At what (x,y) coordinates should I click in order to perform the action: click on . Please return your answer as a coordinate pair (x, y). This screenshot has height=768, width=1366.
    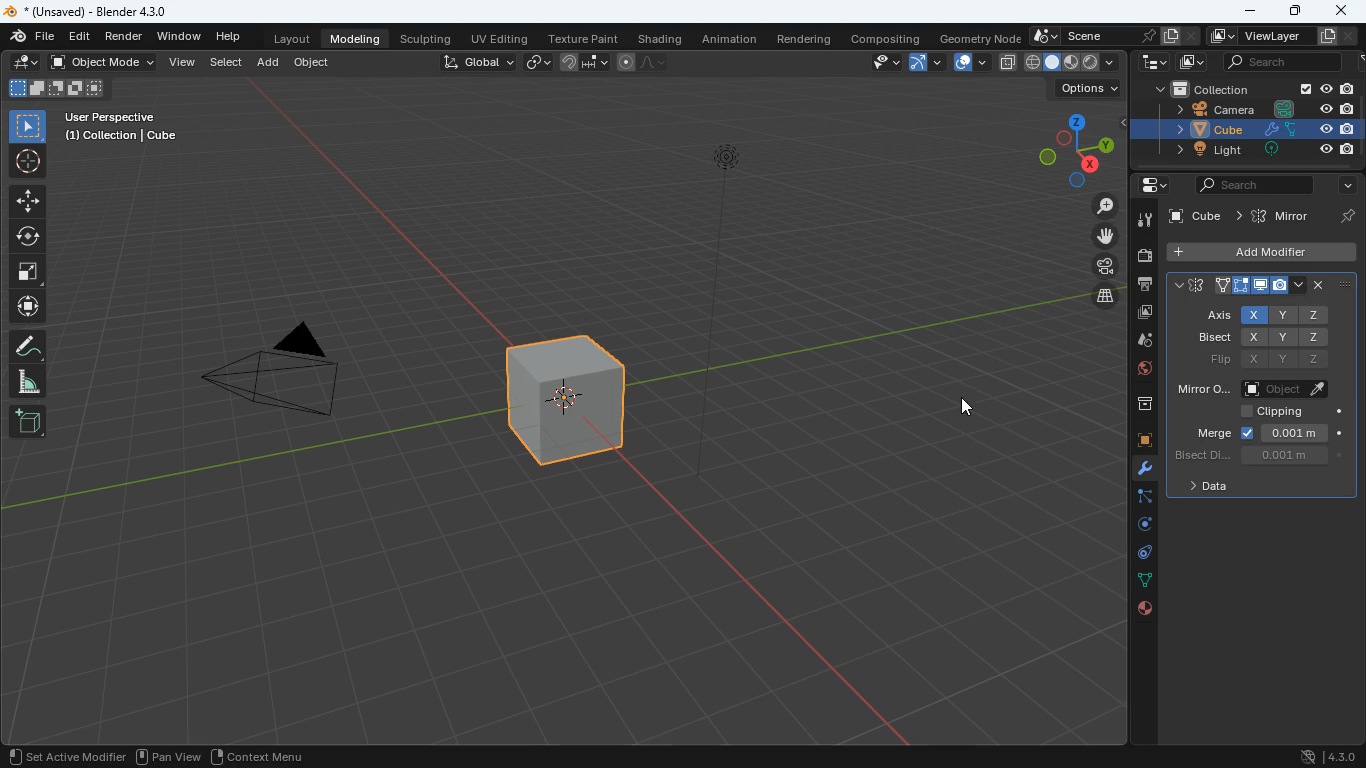
    Looking at the image, I should click on (101, 11).